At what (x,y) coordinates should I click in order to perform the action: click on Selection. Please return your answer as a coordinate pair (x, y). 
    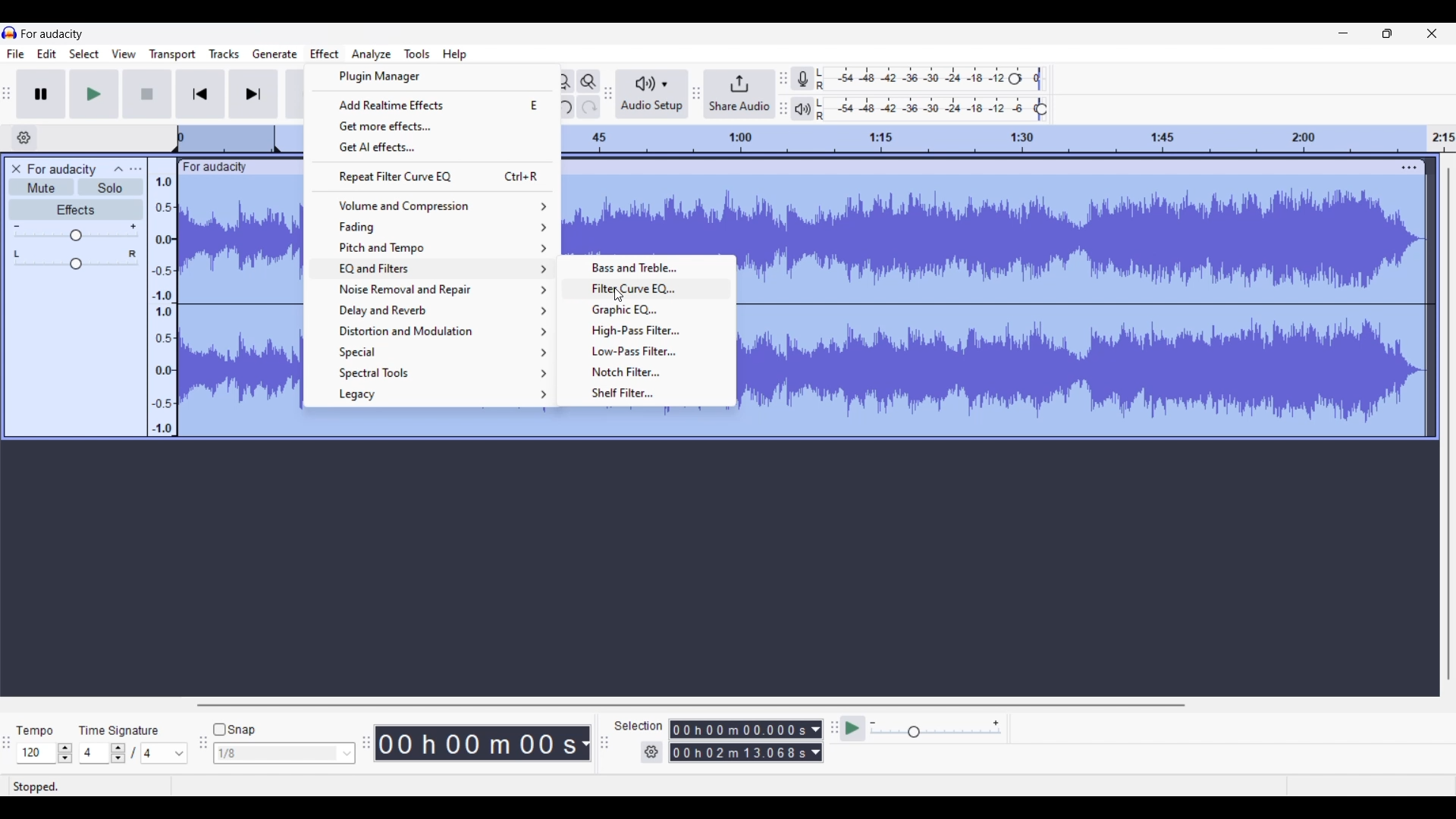
    Looking at the image, I should click on (639, 727).